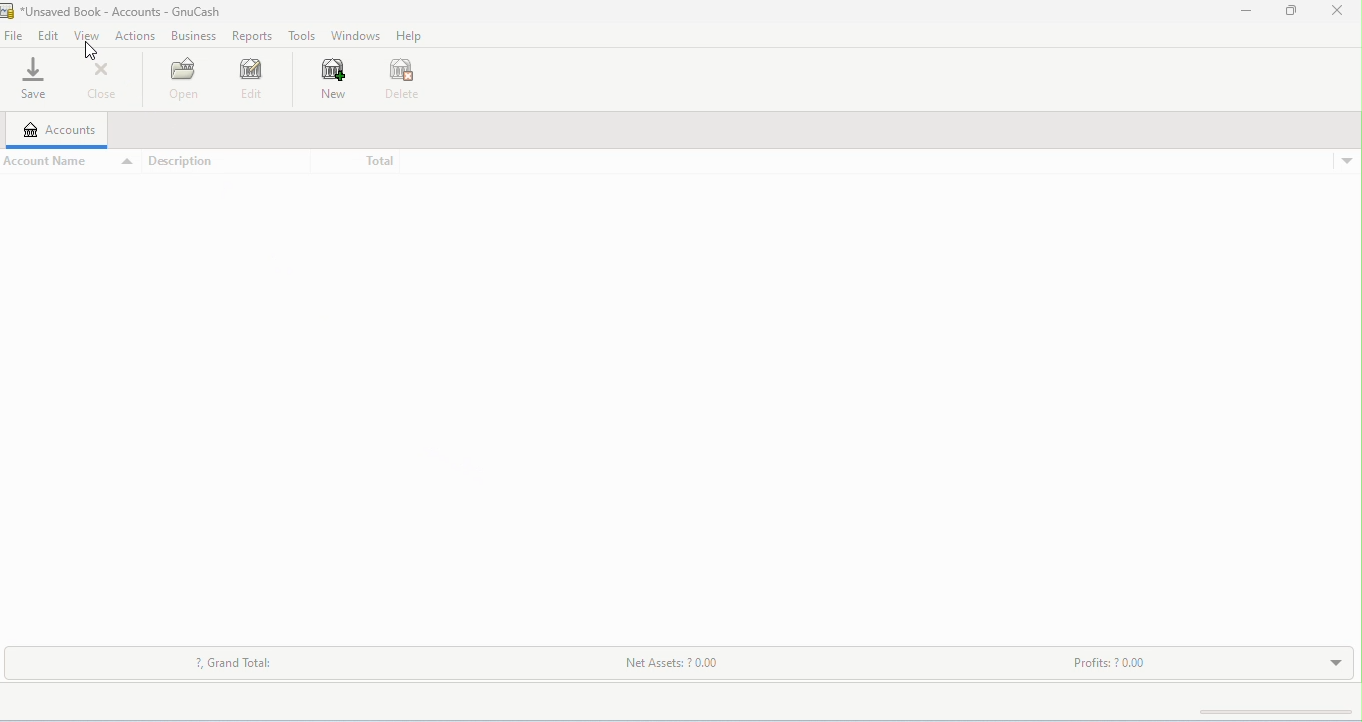  Describe the element at coordinates (339, 79) in the screenshot. I see `new` at that location.